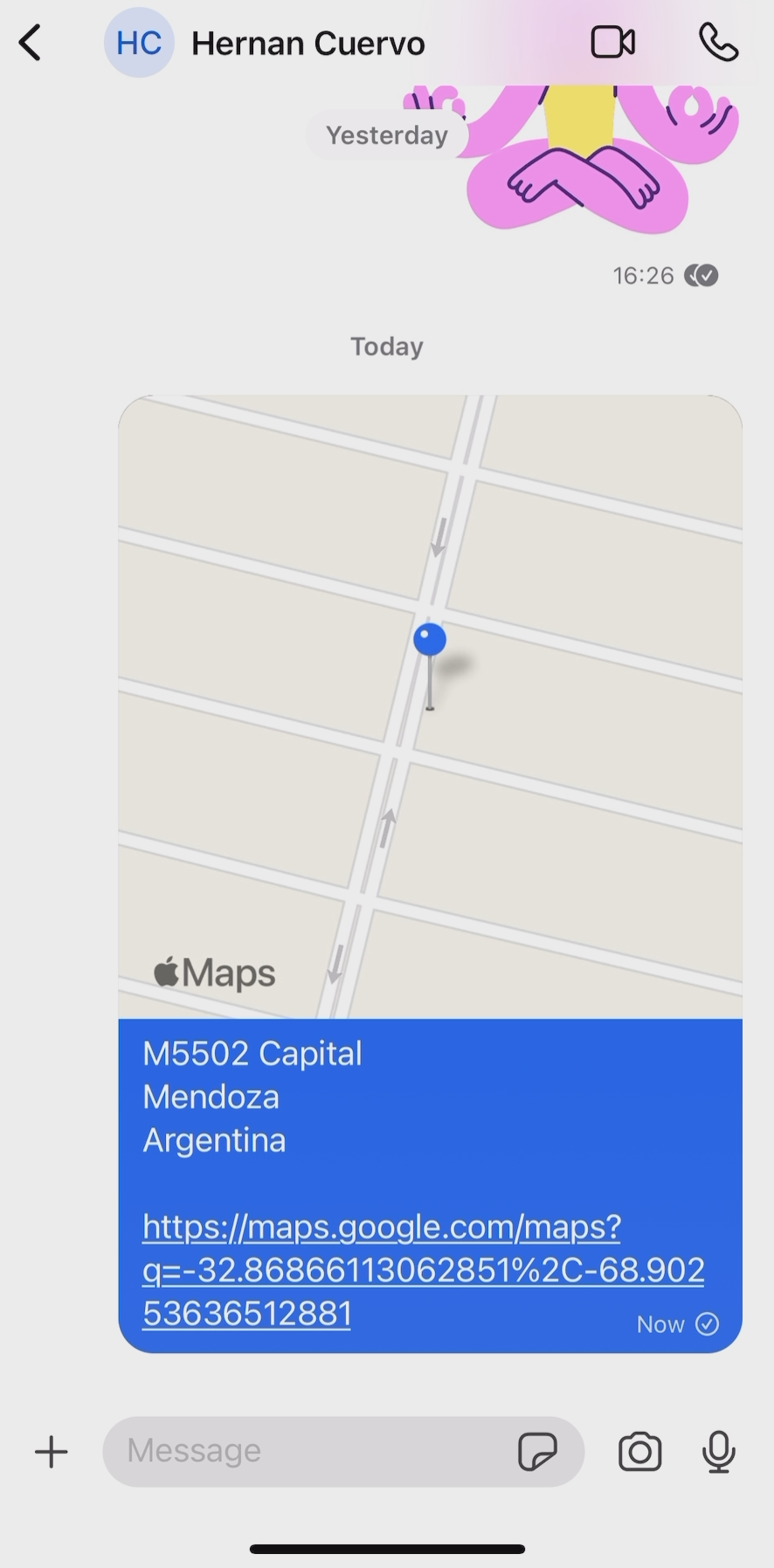 The image size is (774, 1568). Describe the element at coordinates (30, 43) in the screenshot. I see `navigate back` at that location.